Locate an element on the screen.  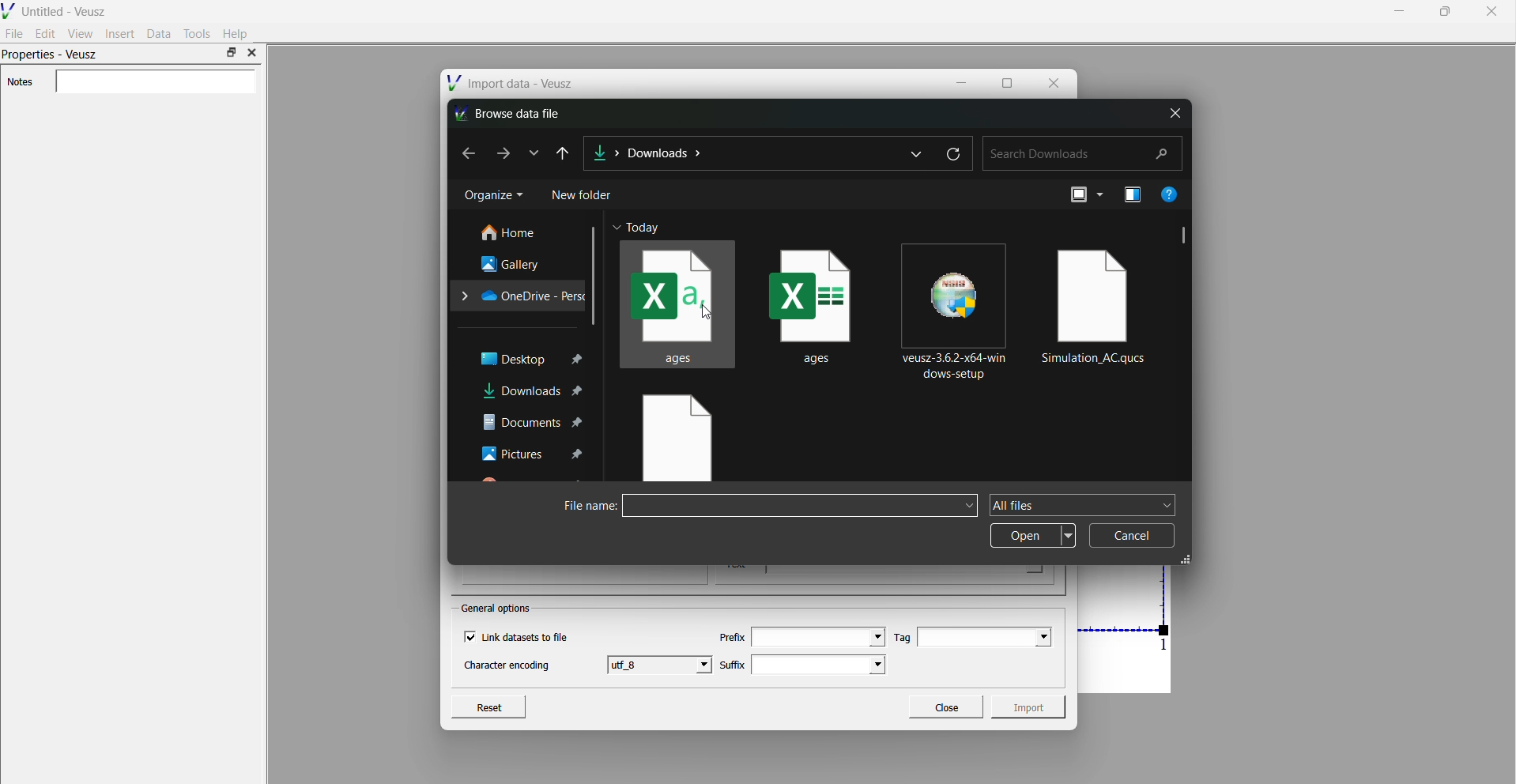
minimise is located at coordinates (964, 81).